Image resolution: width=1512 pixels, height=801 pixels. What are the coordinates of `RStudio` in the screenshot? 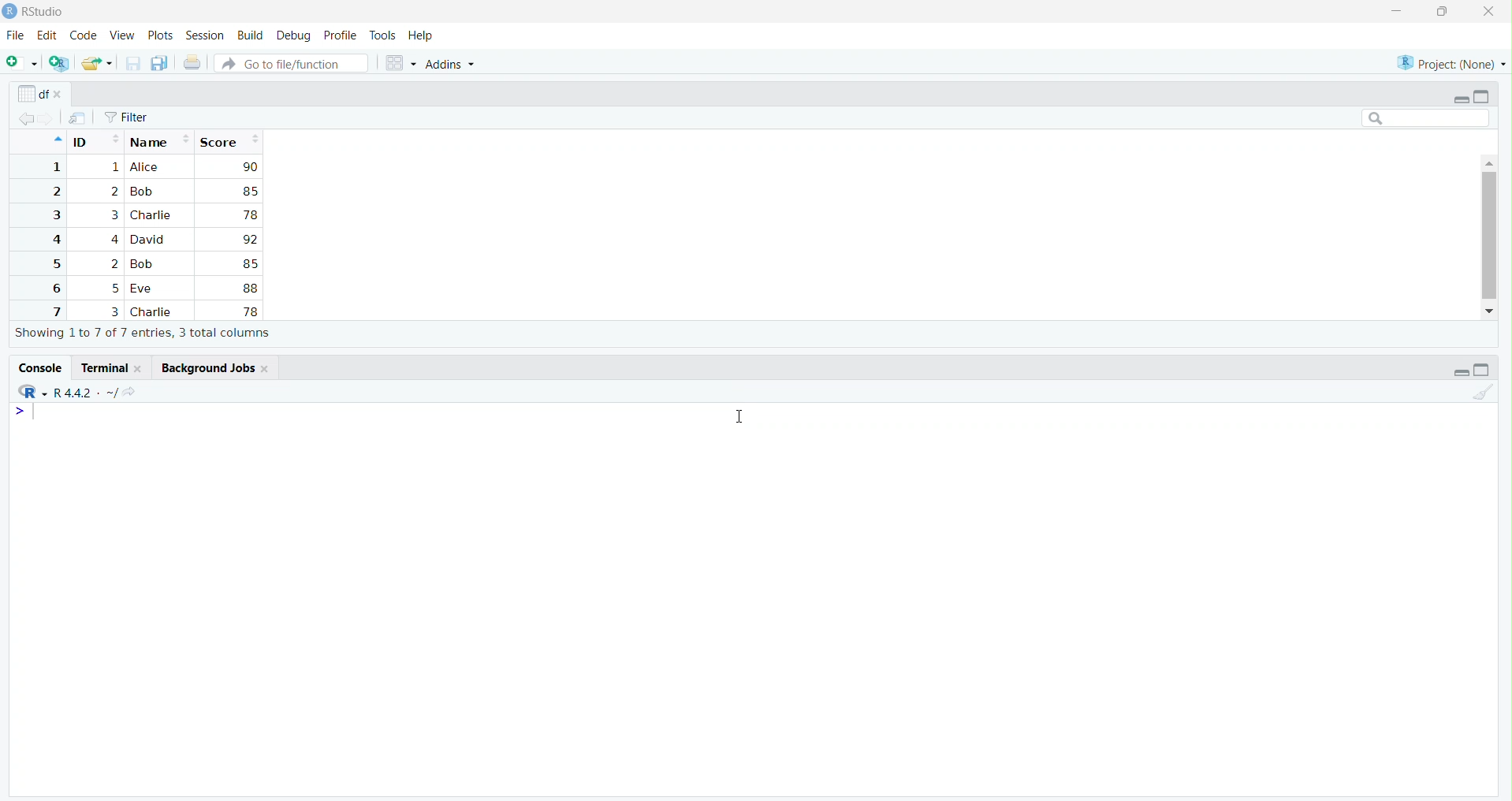 It's located at (44, 12).